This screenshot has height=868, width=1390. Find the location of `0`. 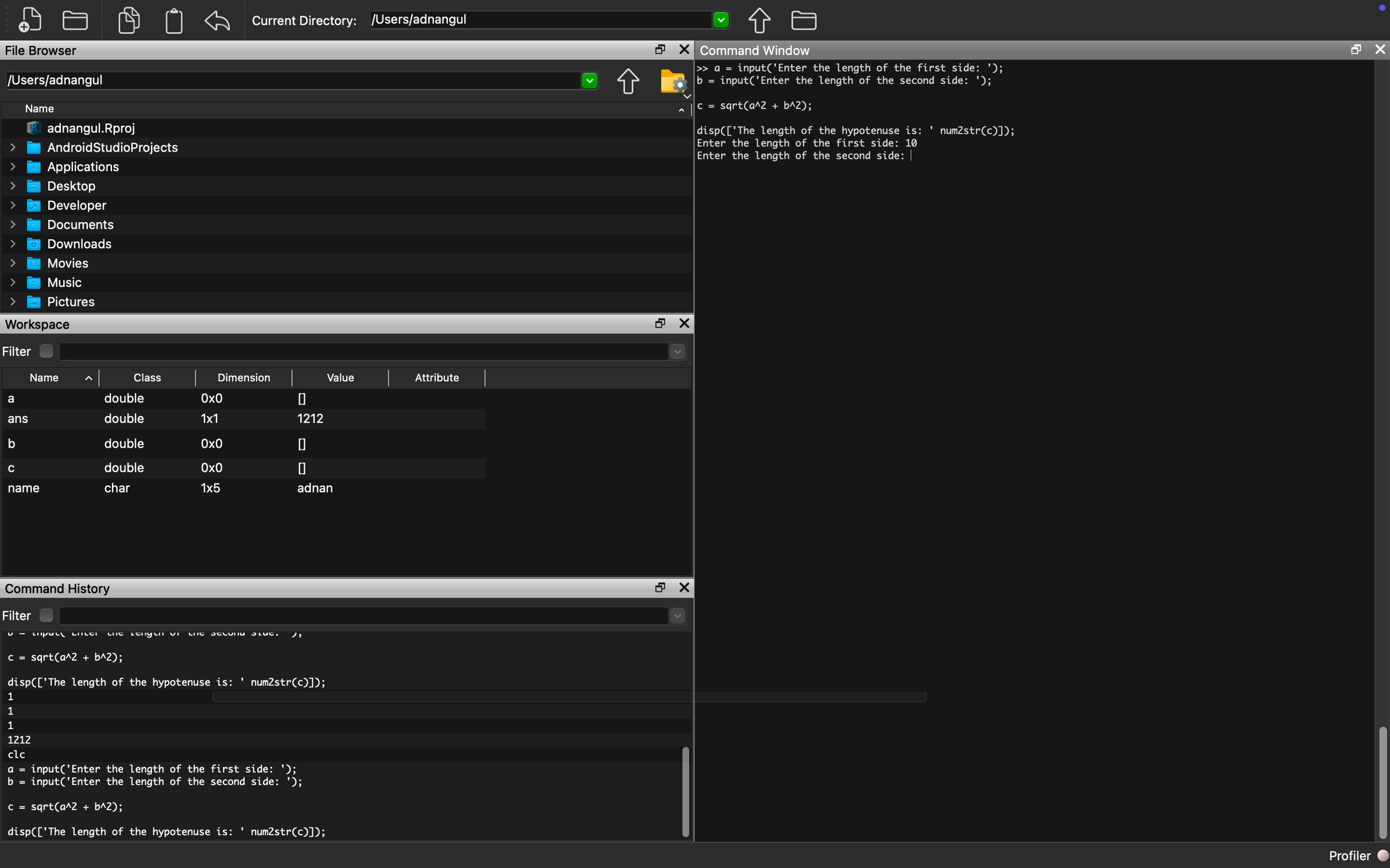

0 is located at coordinates (303, 397).